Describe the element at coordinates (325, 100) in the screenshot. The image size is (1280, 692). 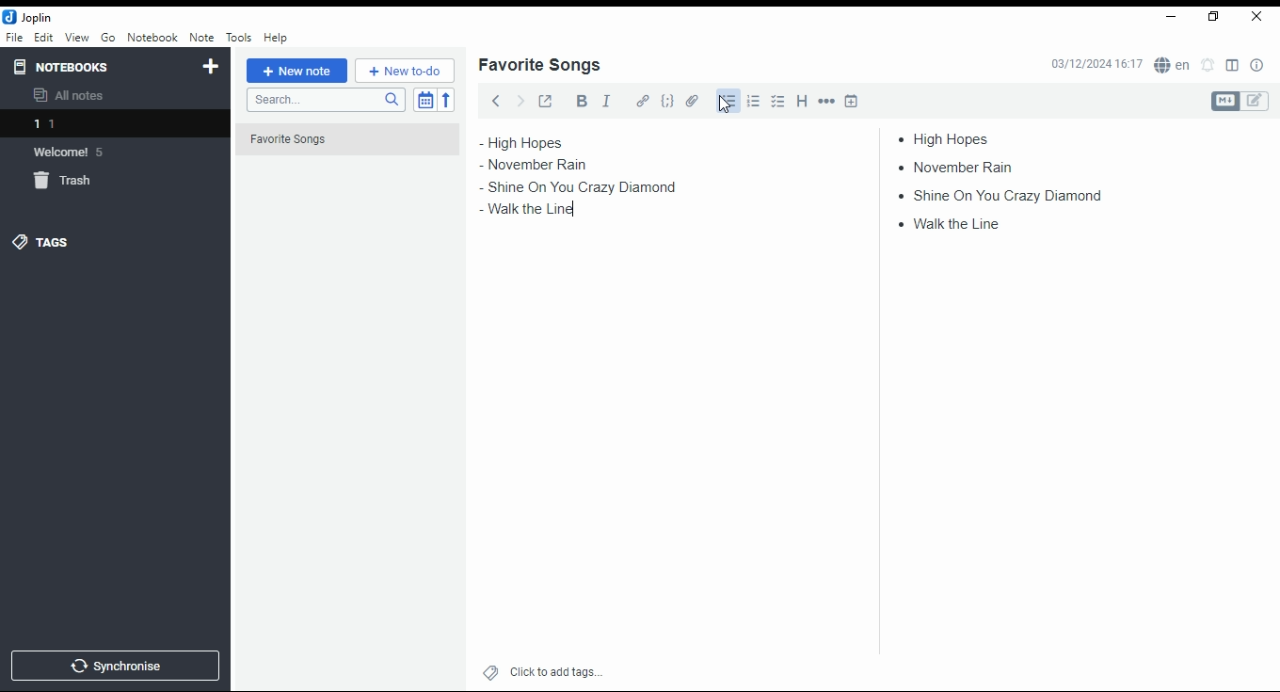
I see `search` at that location.